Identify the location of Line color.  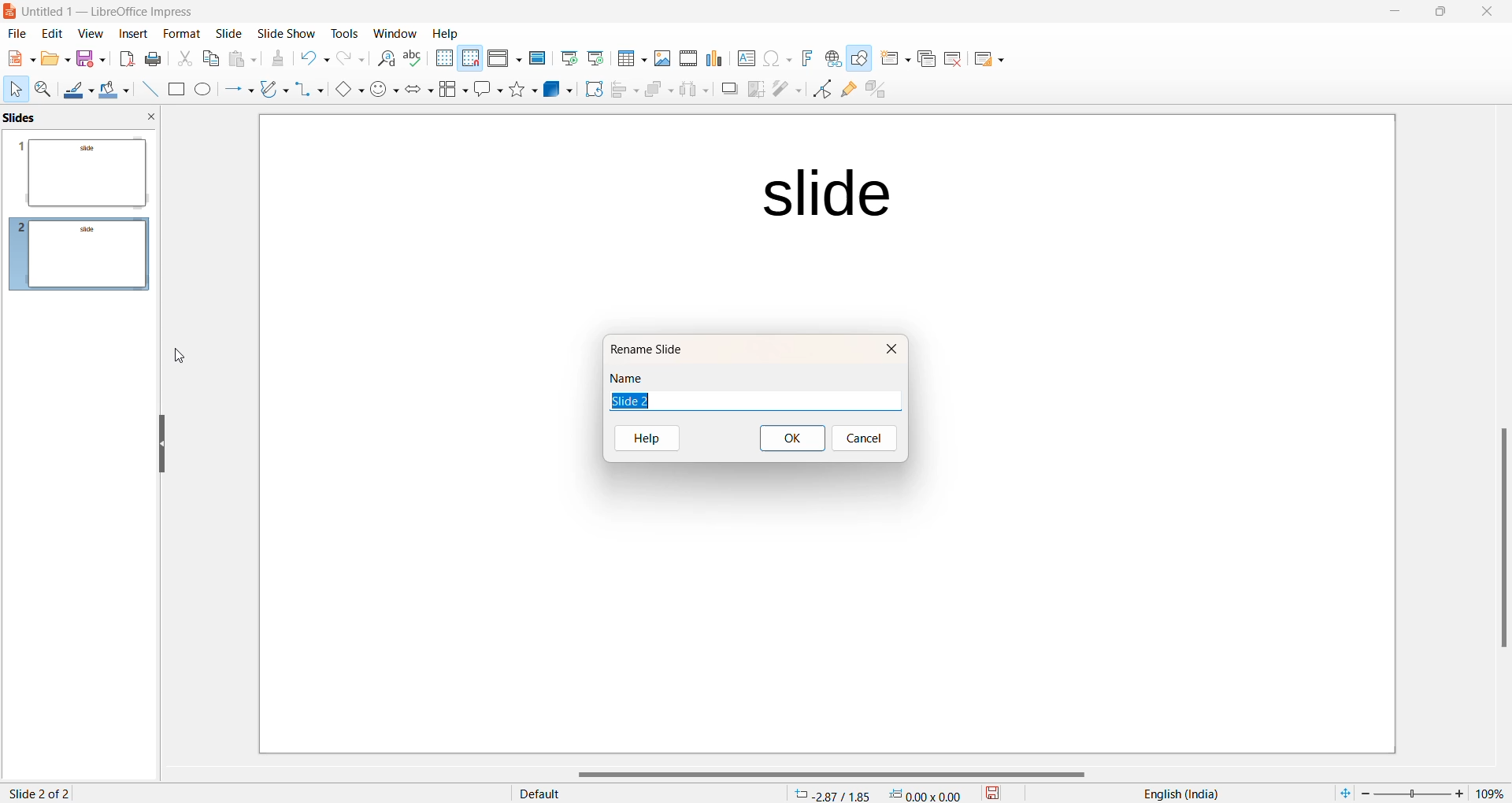
(77, 88).